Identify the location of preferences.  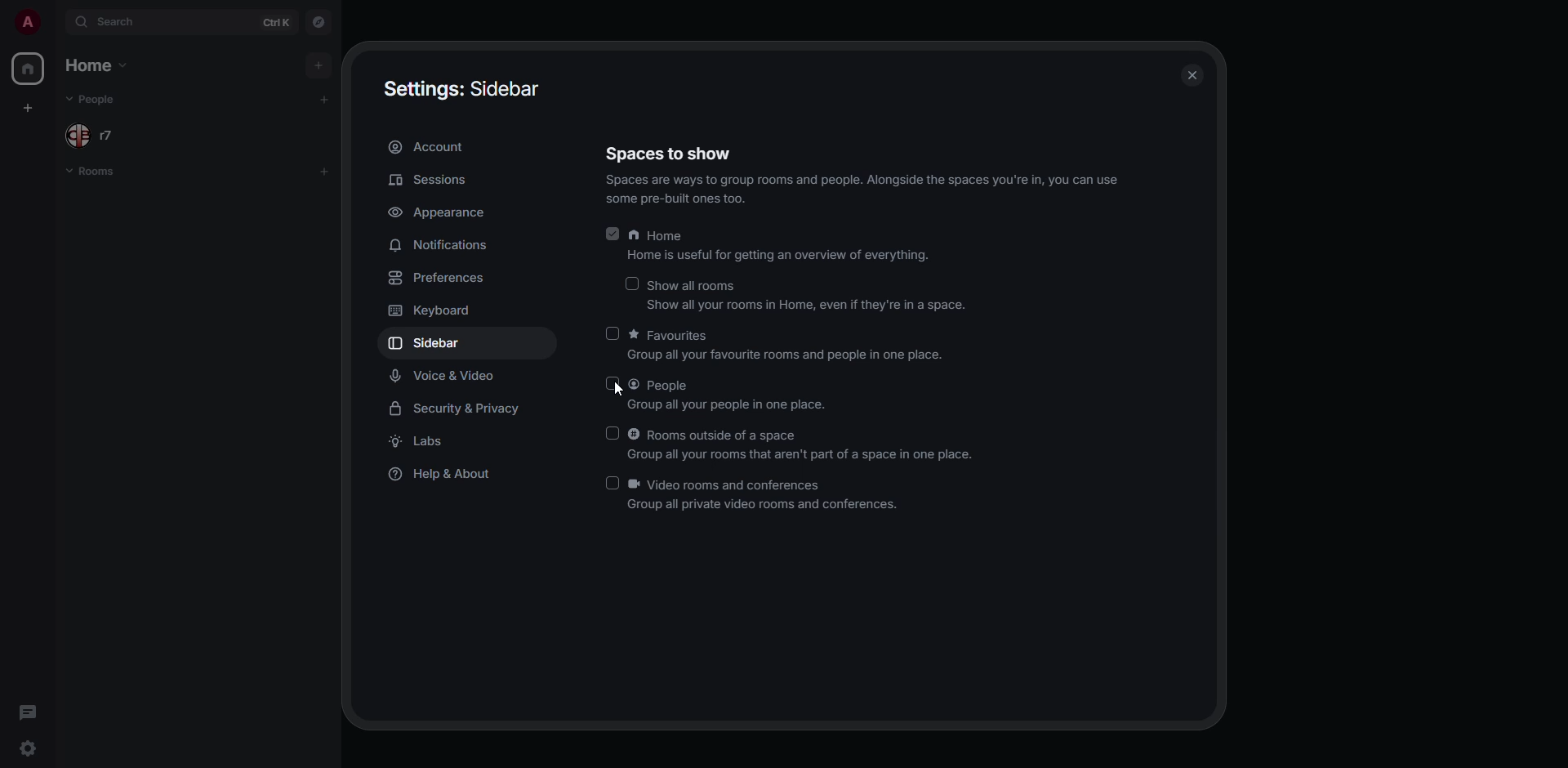
(434, 278).